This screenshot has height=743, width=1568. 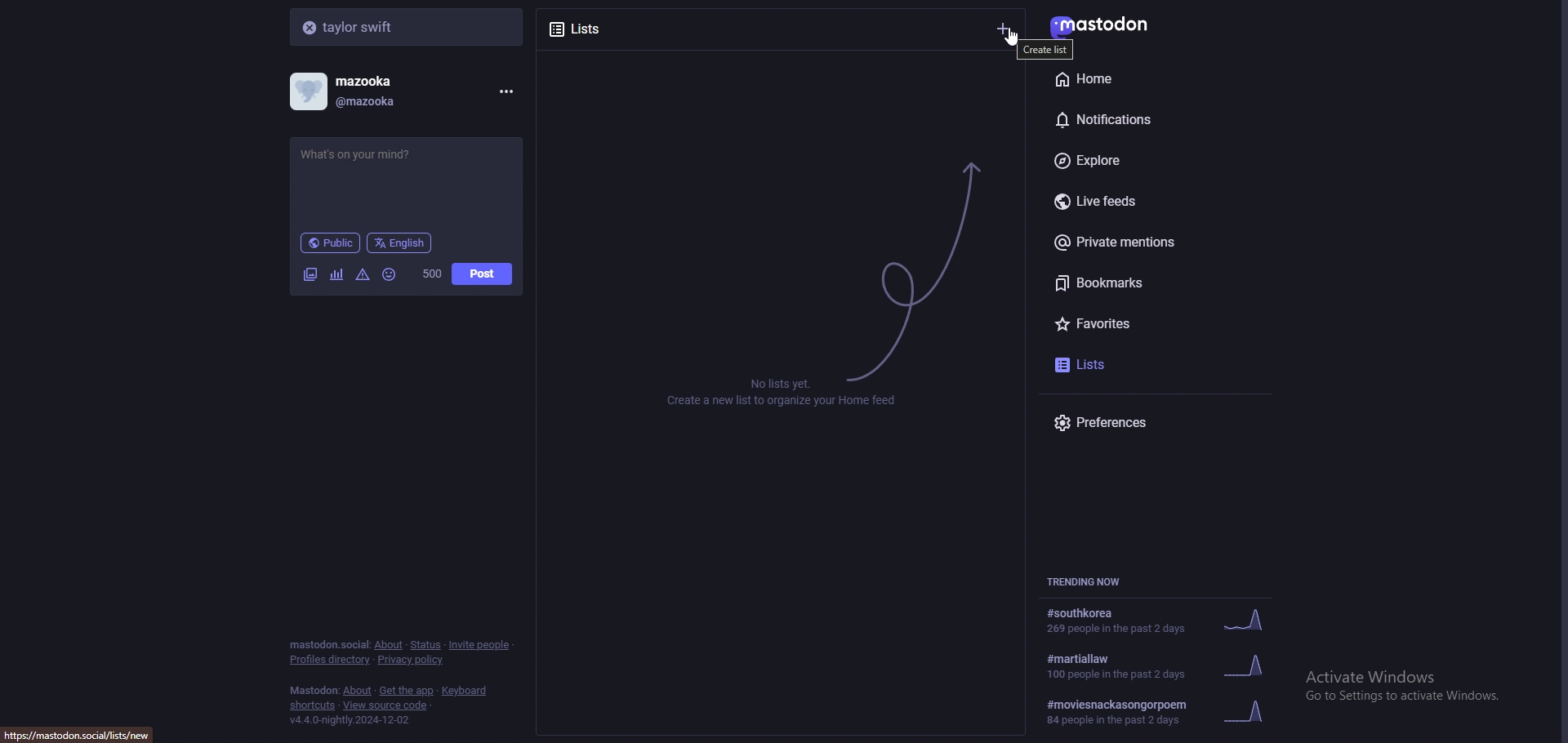 I want to click on poll, so click(x=336, y=274).